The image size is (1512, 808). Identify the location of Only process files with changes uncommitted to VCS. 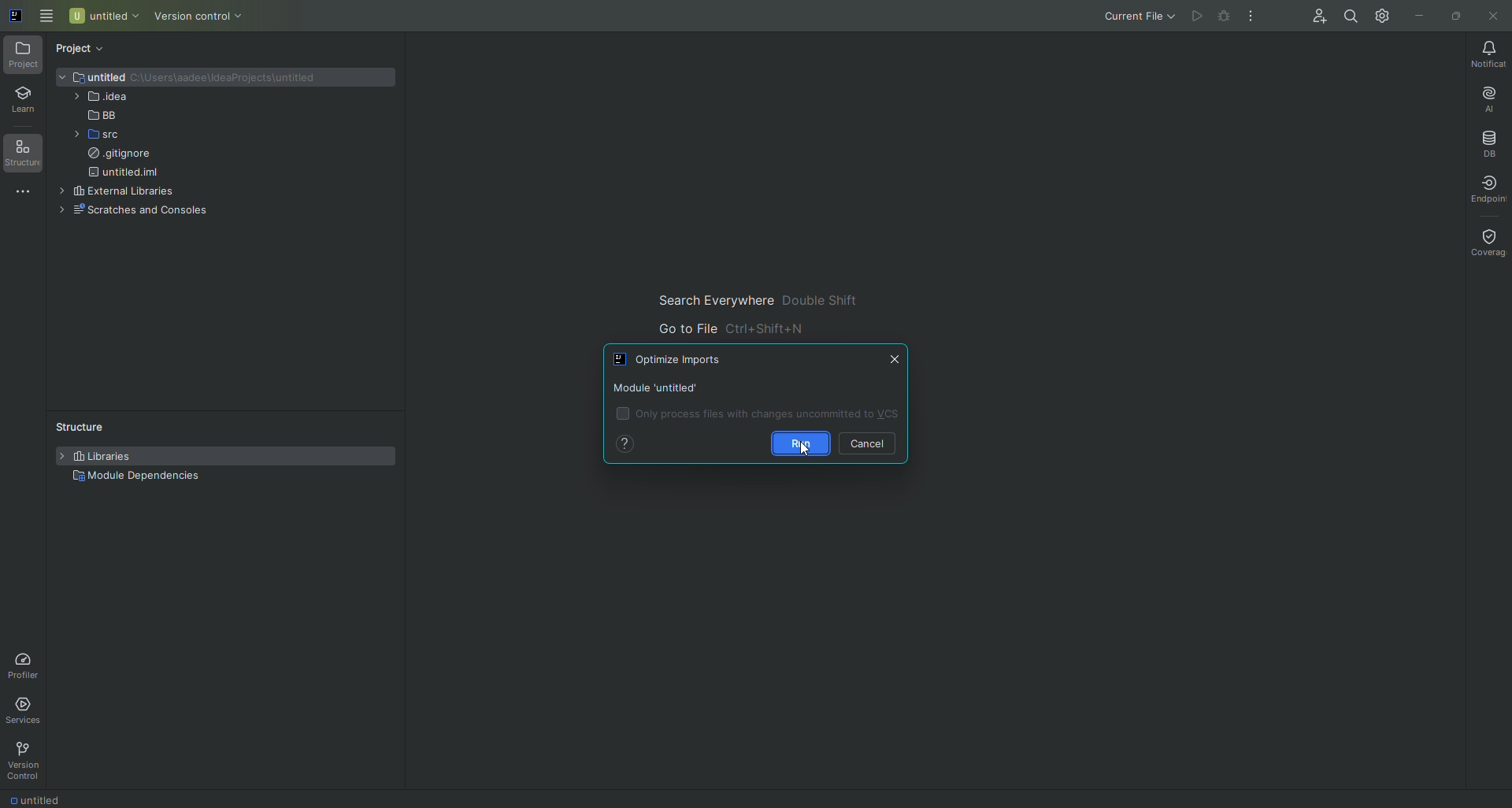
(758, 413).